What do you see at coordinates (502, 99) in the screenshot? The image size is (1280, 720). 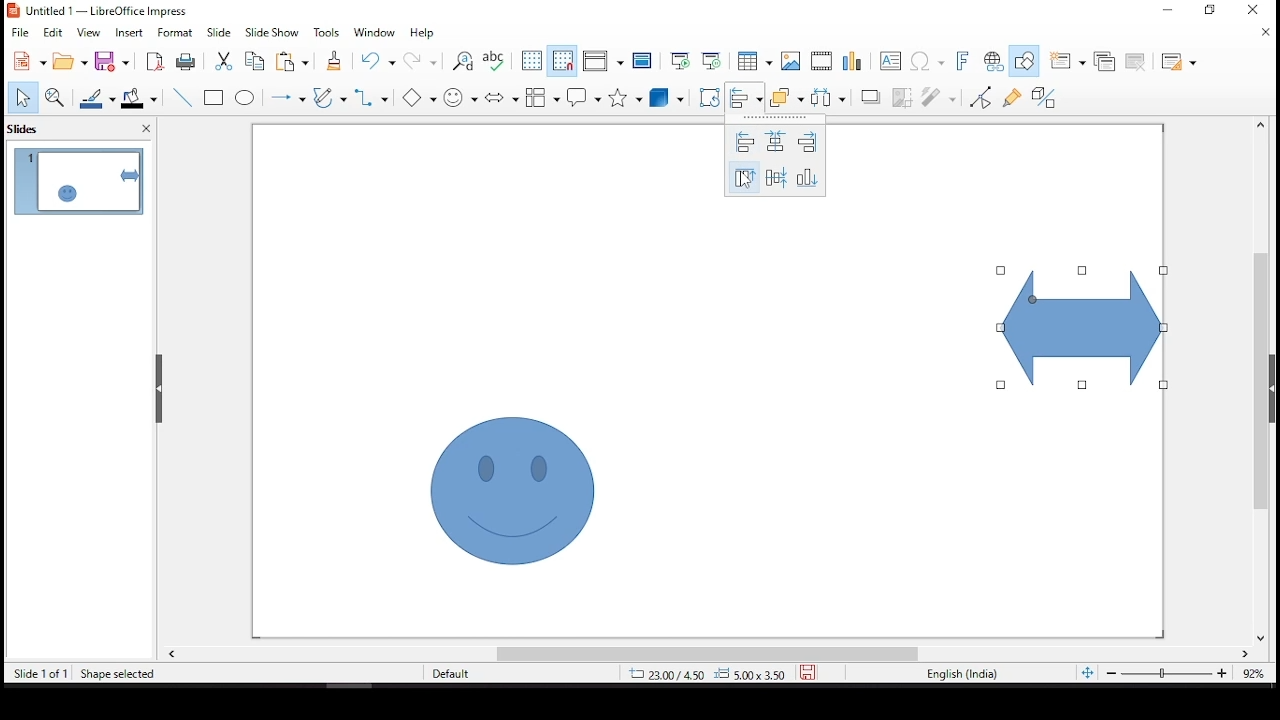 I see `block arrows` at bounding box center [502, 99].